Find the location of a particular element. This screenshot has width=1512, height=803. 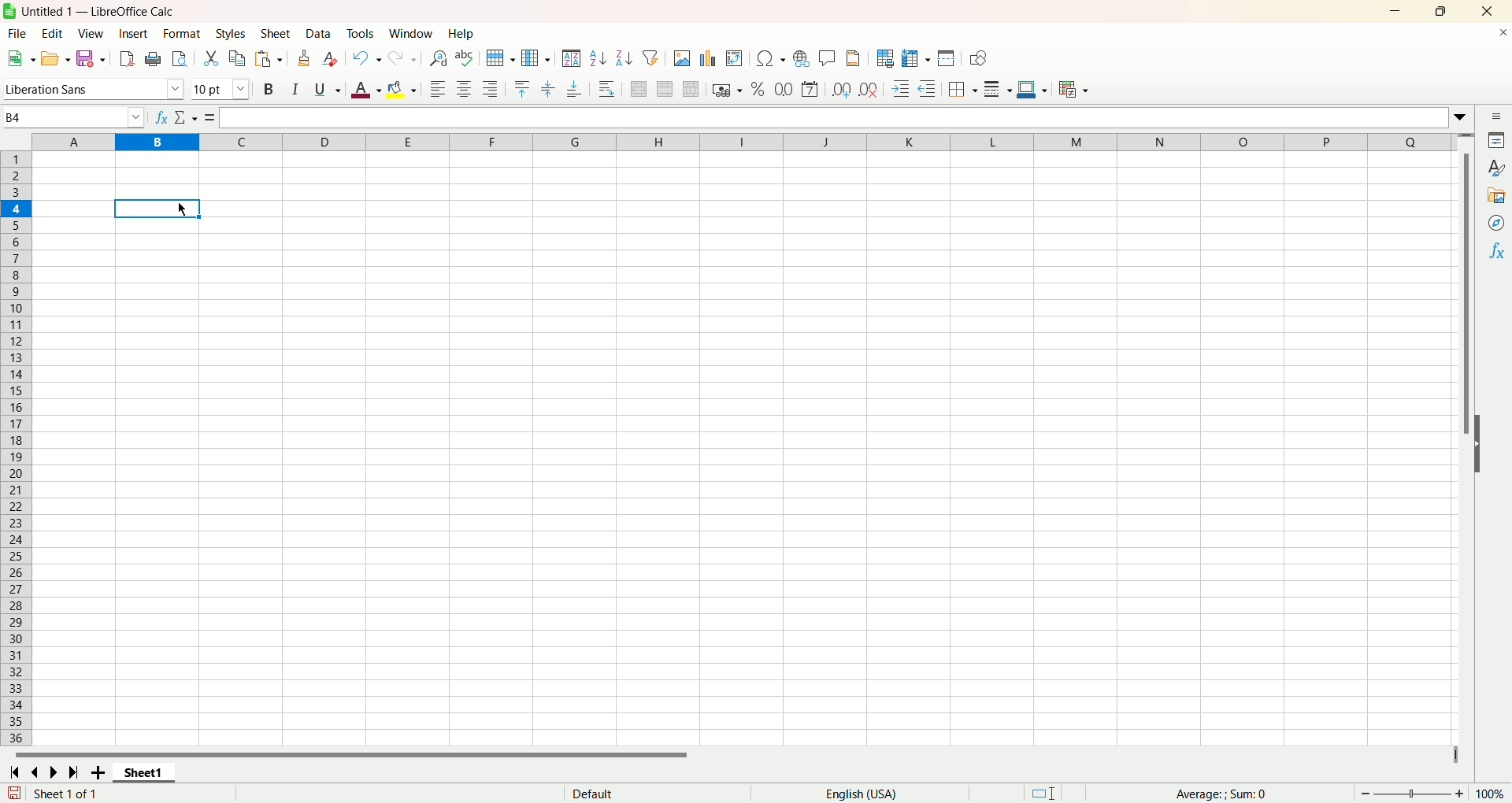

increase indent is located at coordinates (903, 90).